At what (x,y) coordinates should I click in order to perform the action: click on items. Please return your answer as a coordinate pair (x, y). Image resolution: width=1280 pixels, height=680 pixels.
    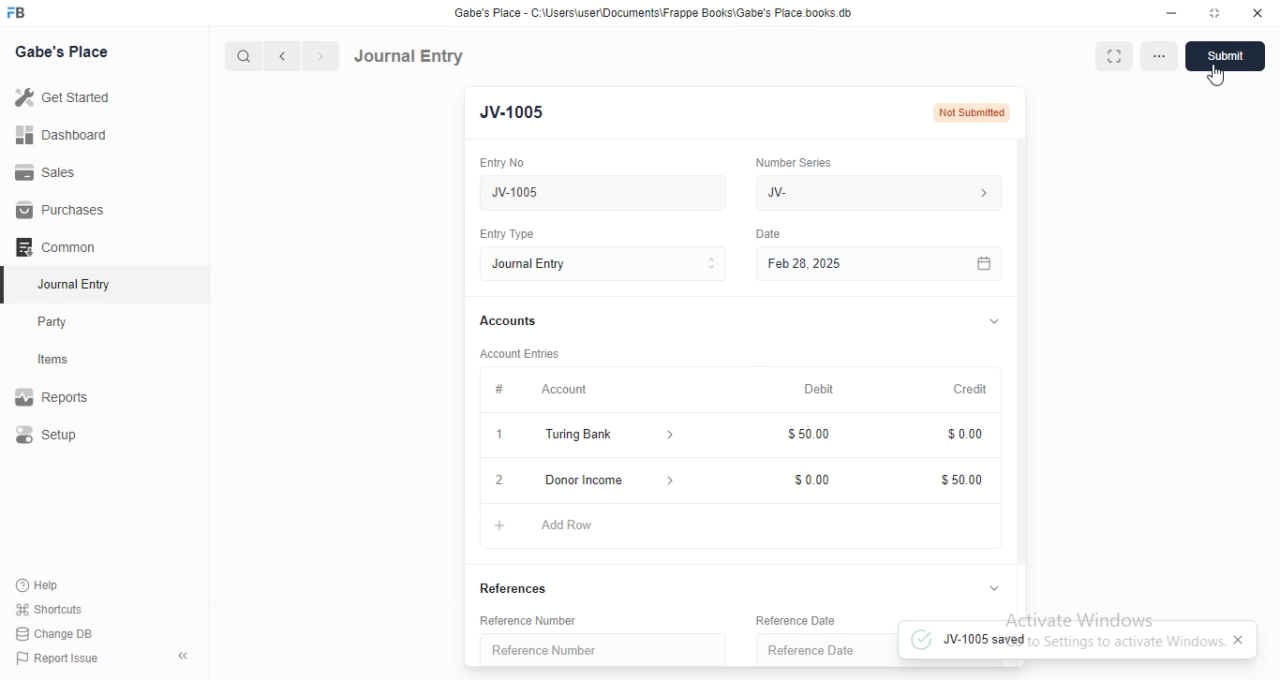
    Looking at the image, I should click on (66, 361).